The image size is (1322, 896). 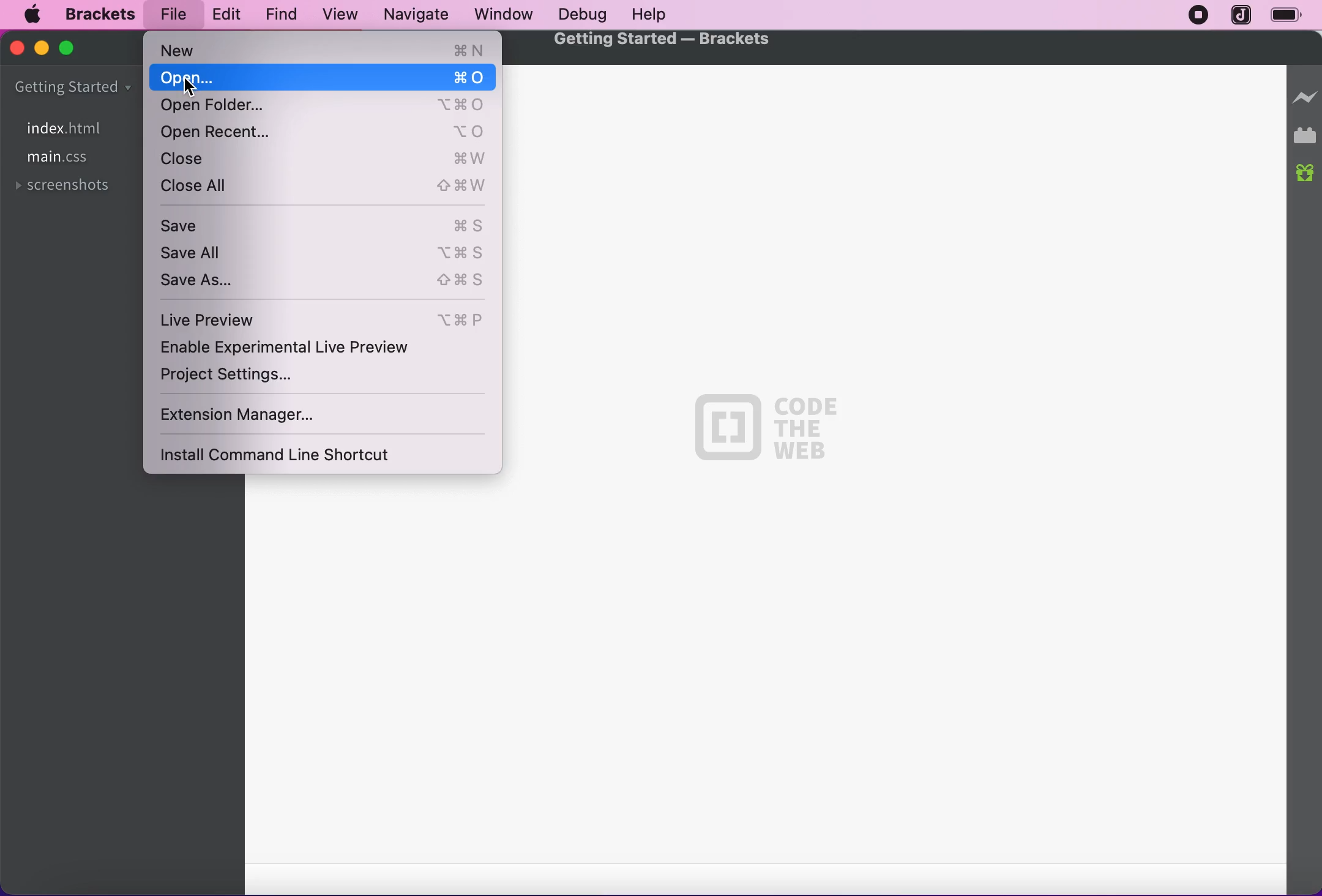 I want to click on help, so click(x=649, y=15).